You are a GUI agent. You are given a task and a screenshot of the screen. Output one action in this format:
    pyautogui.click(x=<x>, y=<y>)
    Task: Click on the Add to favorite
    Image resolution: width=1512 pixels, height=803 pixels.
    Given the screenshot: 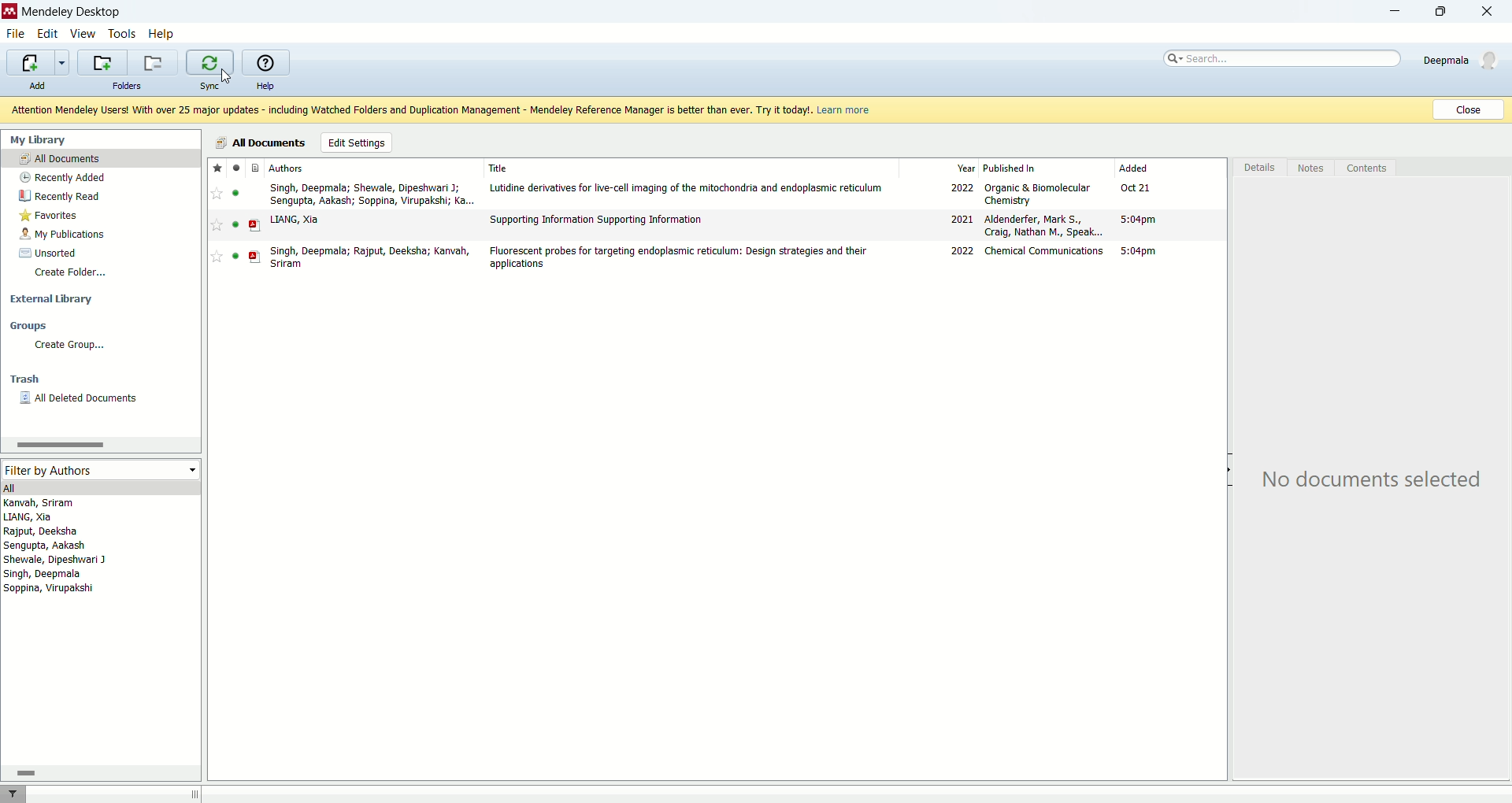 What is the action you would take?
    pyautogui.click(x=217, y=226)
    